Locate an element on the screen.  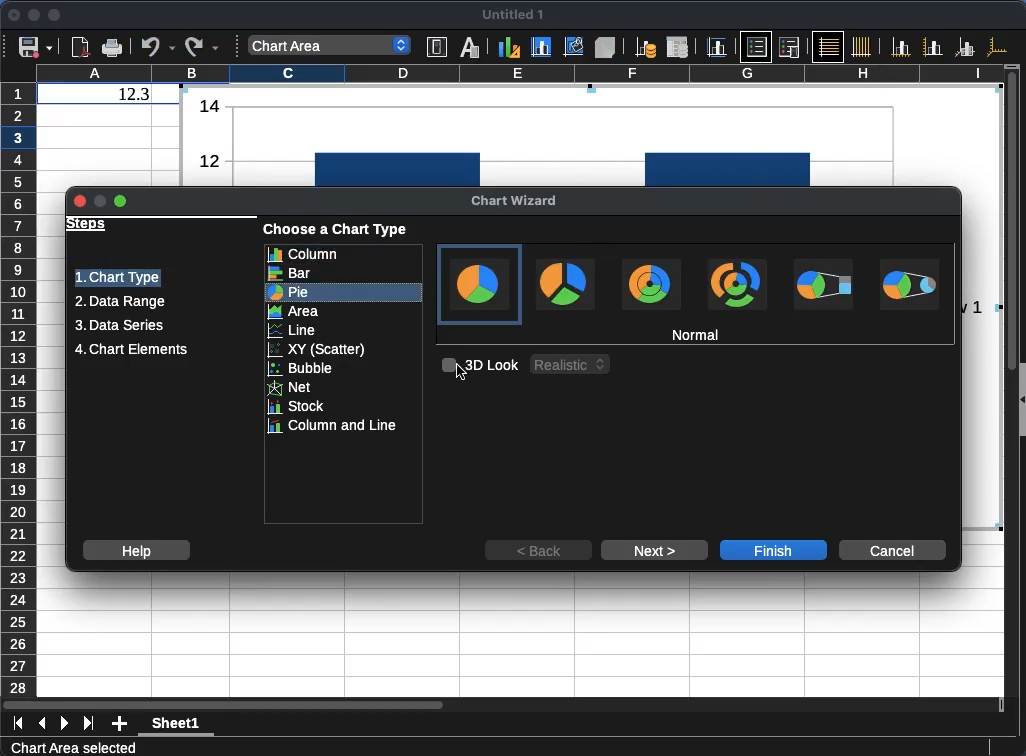
Minimize is located at coordinates (100, 200).